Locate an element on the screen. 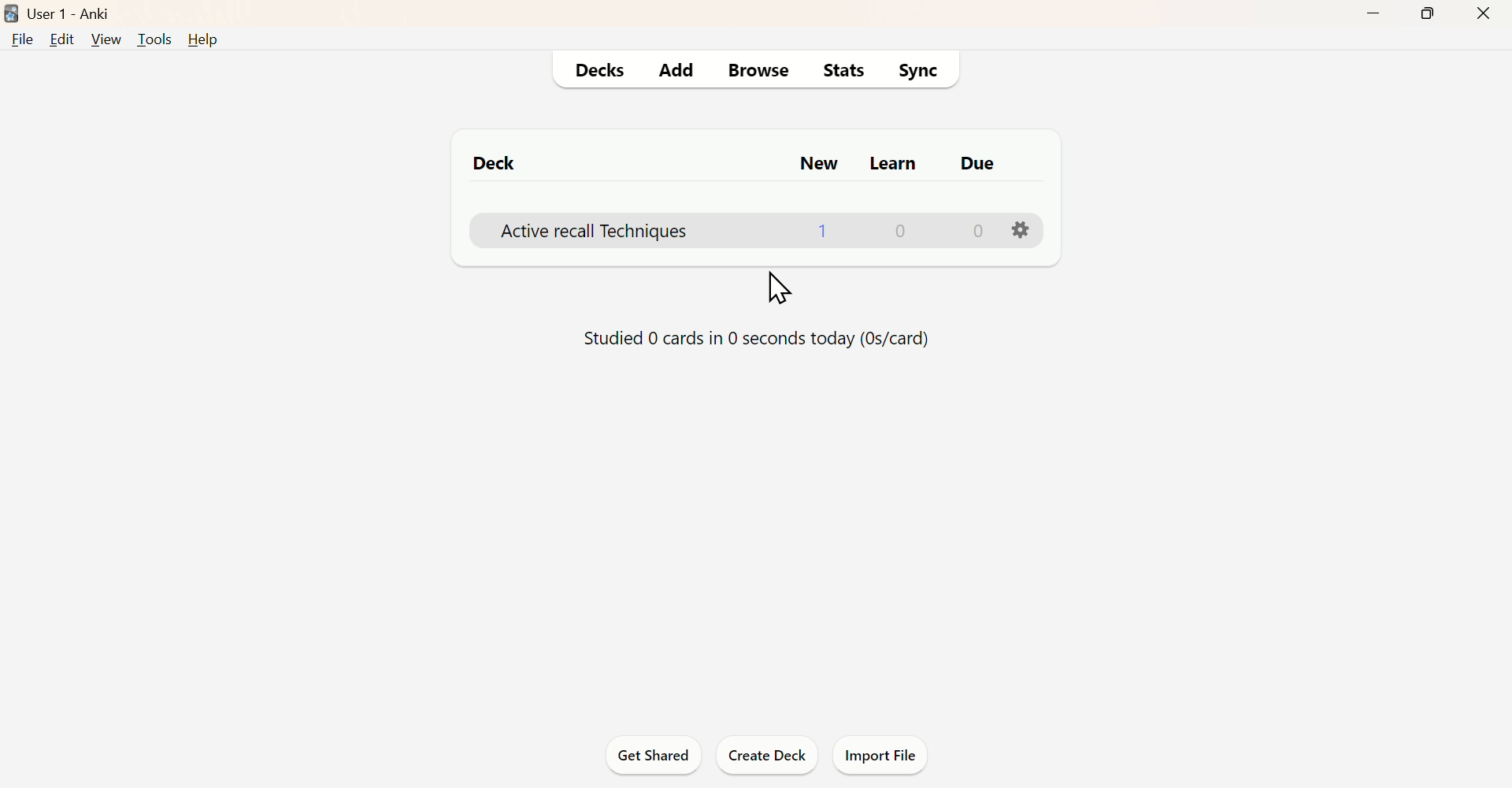  Deck details is located at coordinates (770, 229).